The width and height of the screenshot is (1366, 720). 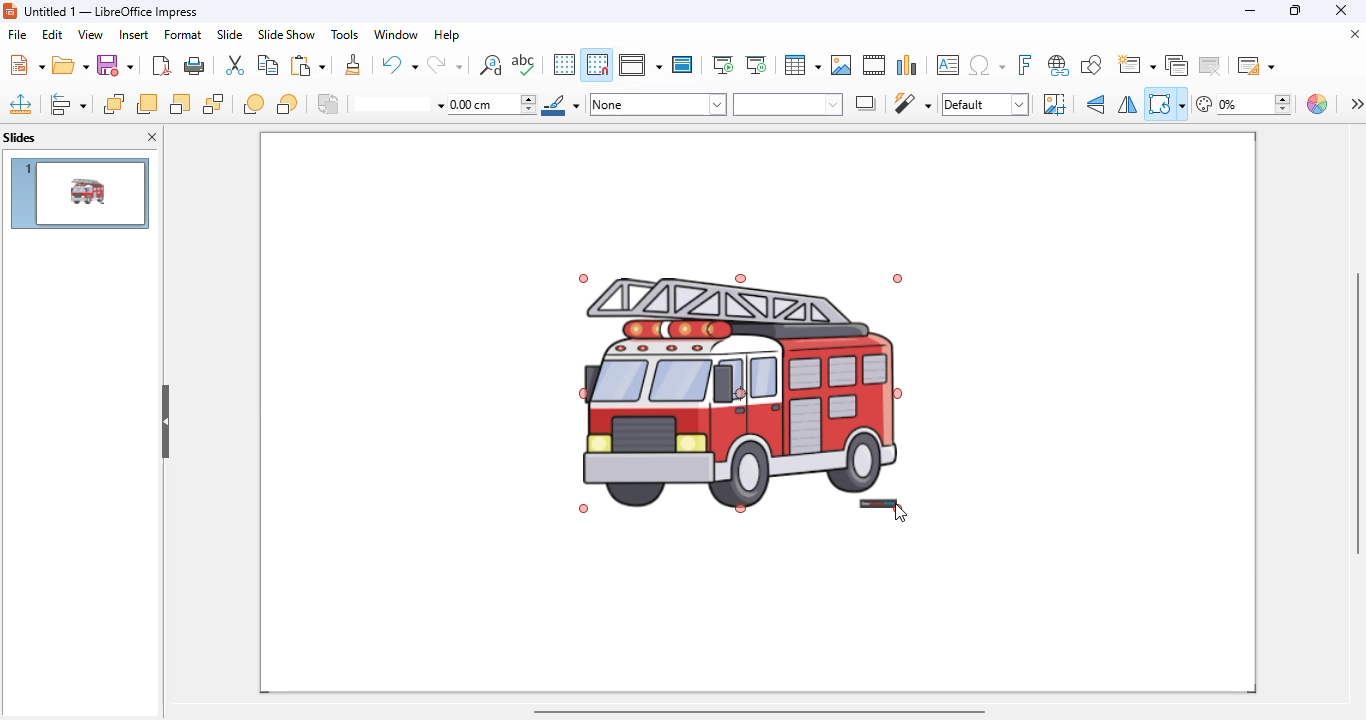 What do you see at coordinates (447, 34) in the screenshot?
I see `help` at bounding box center [447, 34].